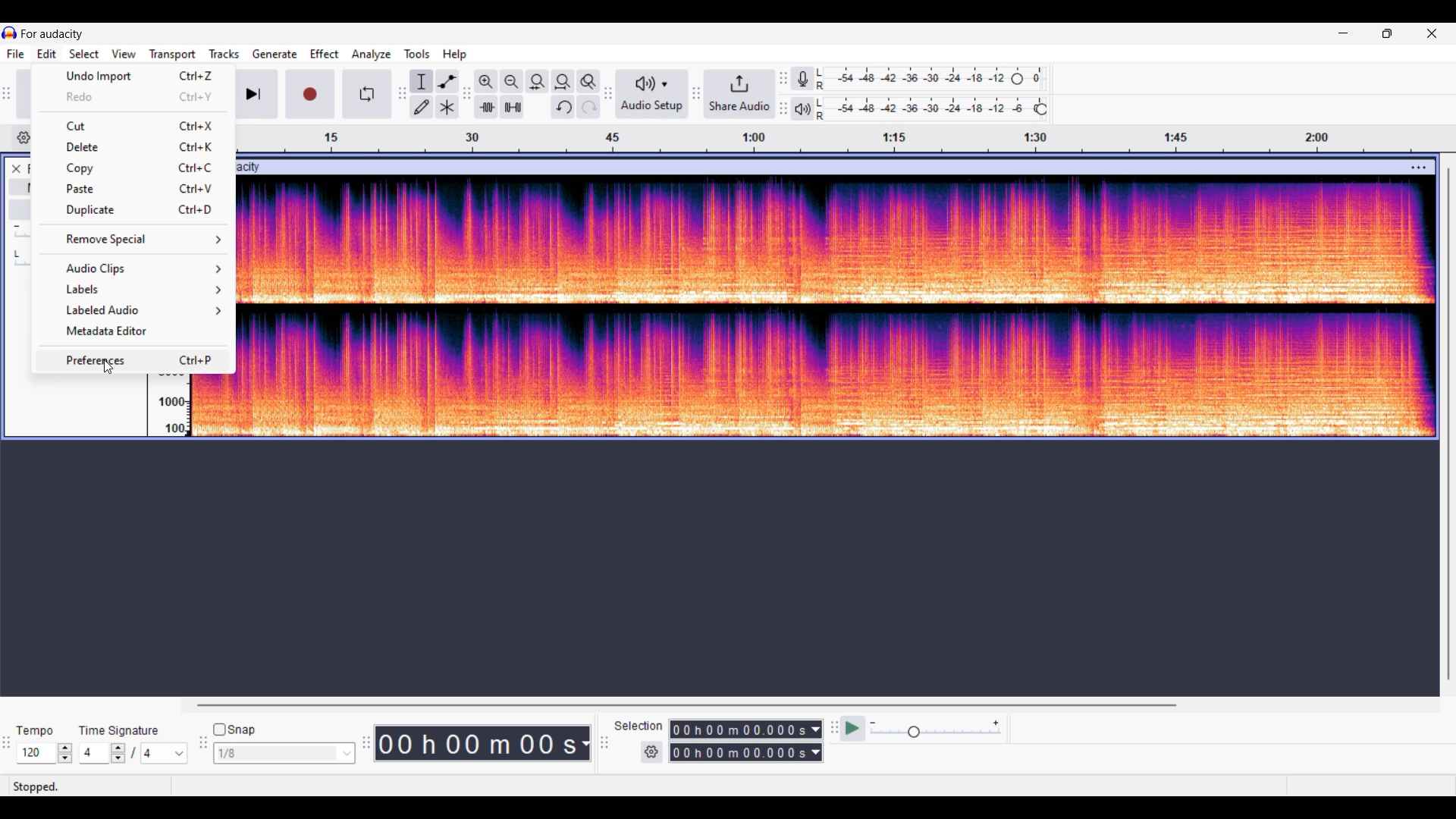  What do you see at coordinates (930, 108) in the screenshot?
I see `Playback level` at bounding box center [930, 108].